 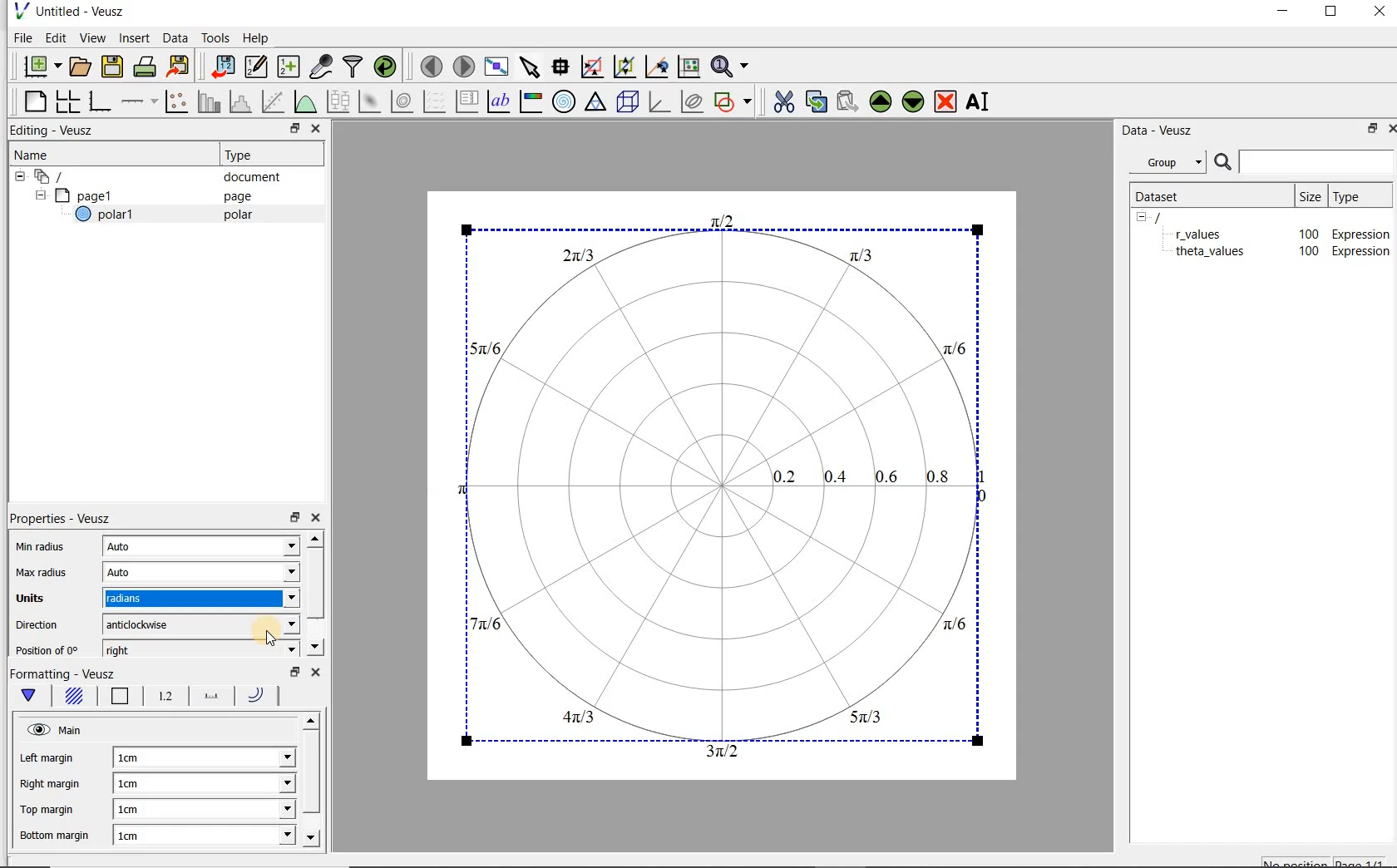 What do you see at coordinates (155, 834) in the screenshot?
I see `1cm` at bounding box center [155, 834].